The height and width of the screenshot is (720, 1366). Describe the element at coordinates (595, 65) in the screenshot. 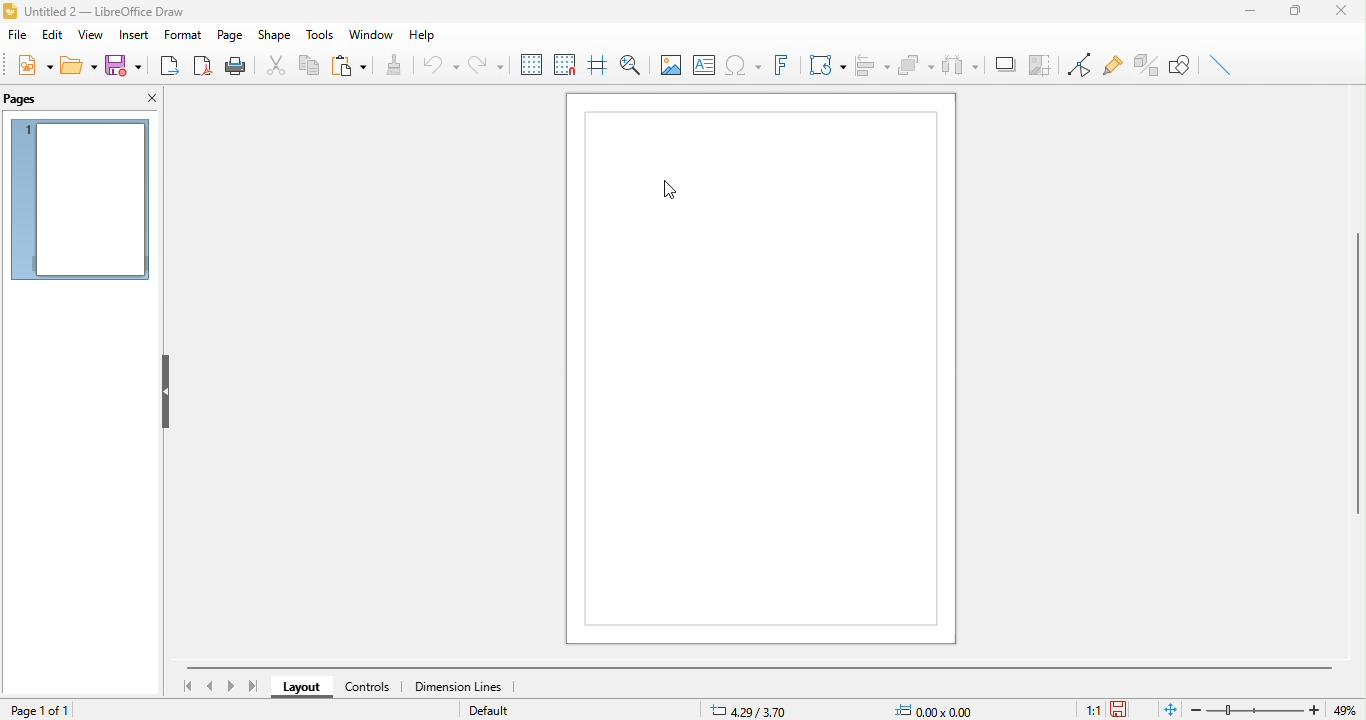

I see `helpline while moving` at that location.